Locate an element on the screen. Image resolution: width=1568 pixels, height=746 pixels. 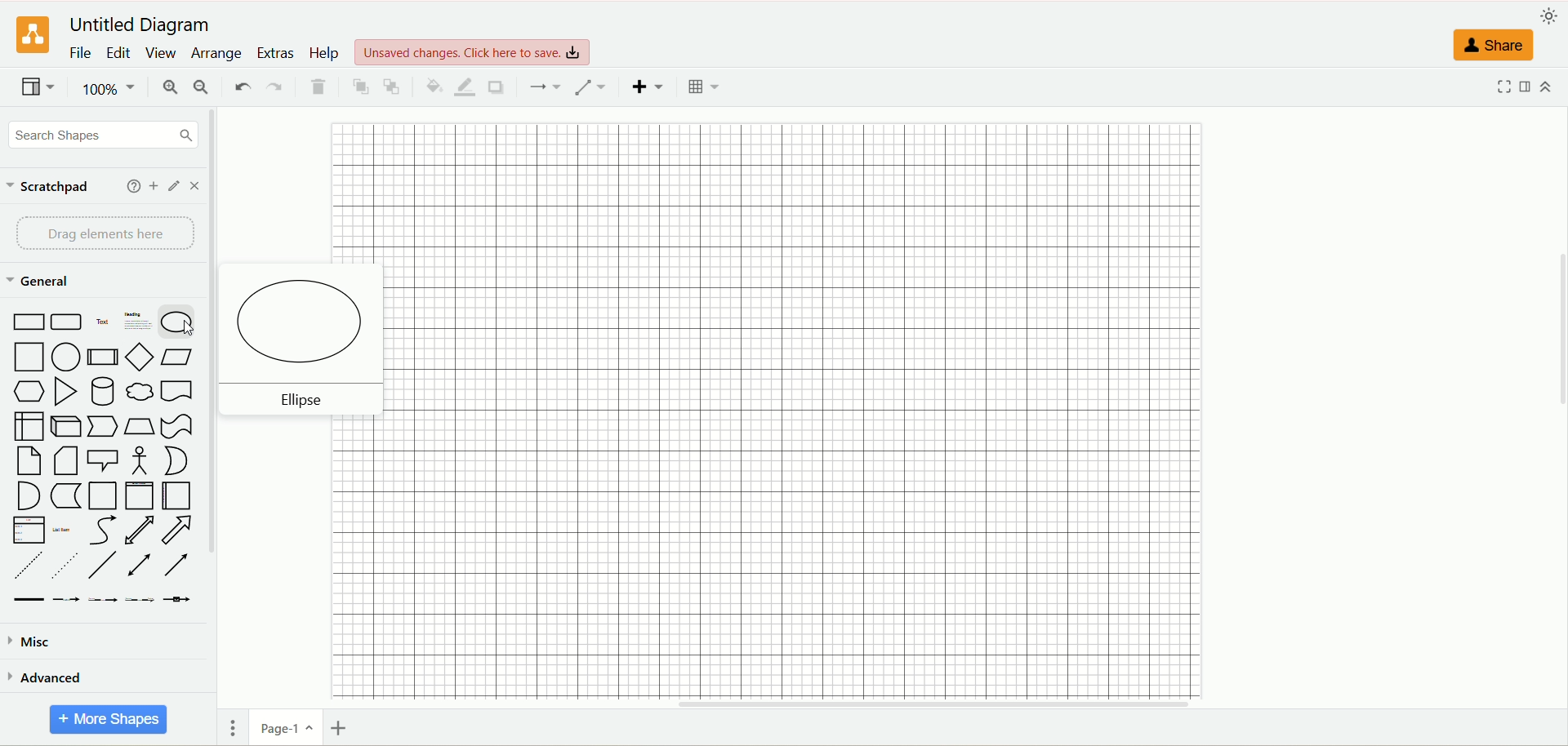
edit is located at coordinates (171, 188).